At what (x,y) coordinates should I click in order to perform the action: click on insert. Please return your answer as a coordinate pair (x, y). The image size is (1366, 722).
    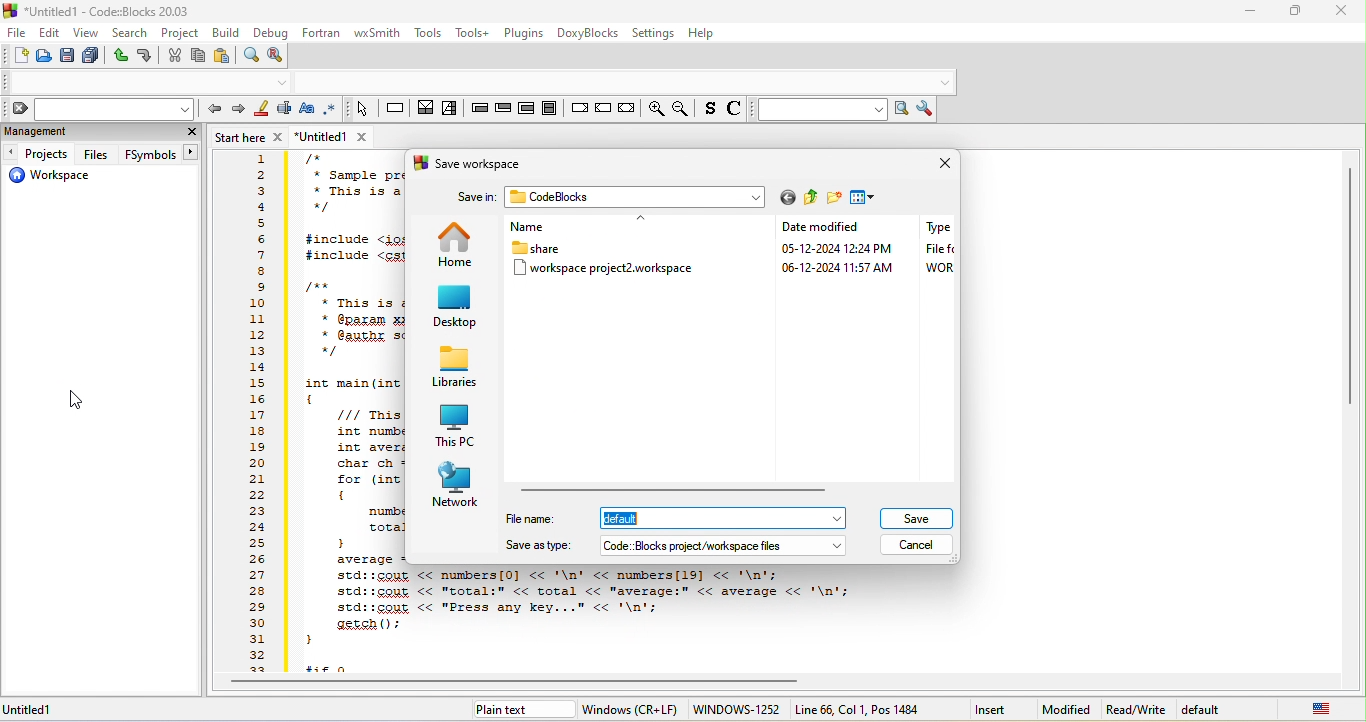
    Looking at the image, I should click on (991, 710).